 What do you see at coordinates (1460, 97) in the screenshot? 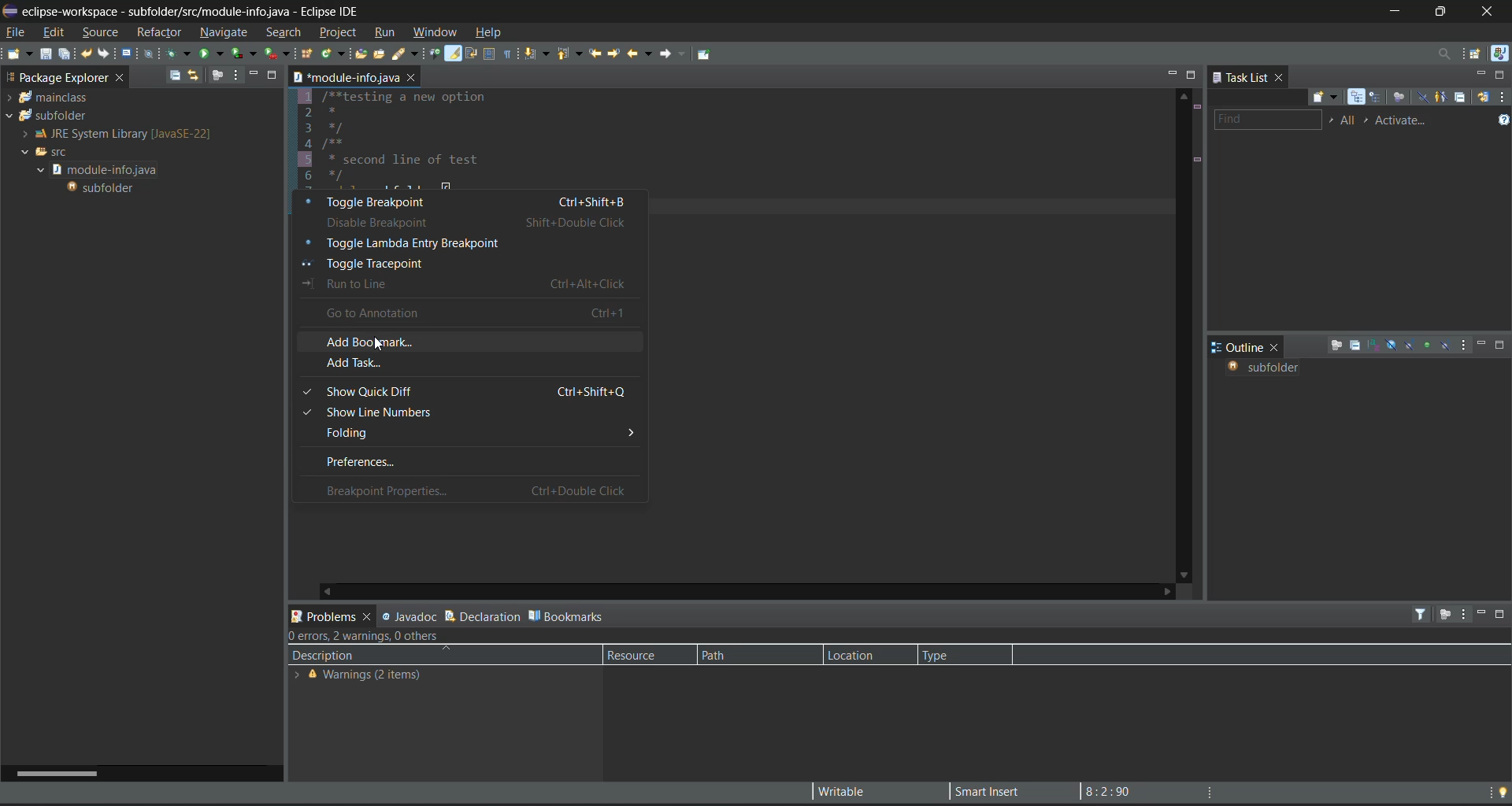
I see `collapse all` at bounding box center [1460, 97].